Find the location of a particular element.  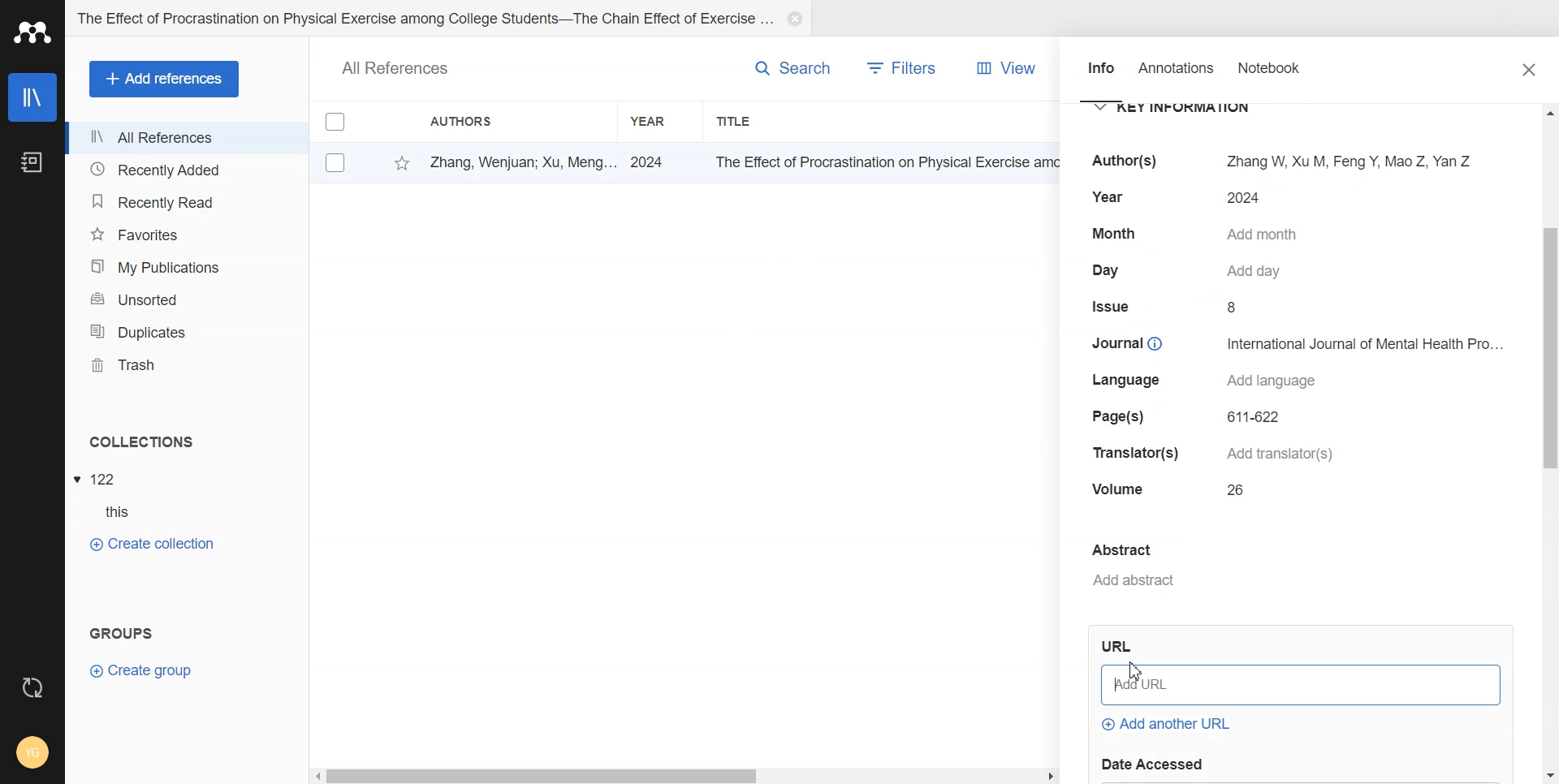

Text is located at coordinates (118, 630).